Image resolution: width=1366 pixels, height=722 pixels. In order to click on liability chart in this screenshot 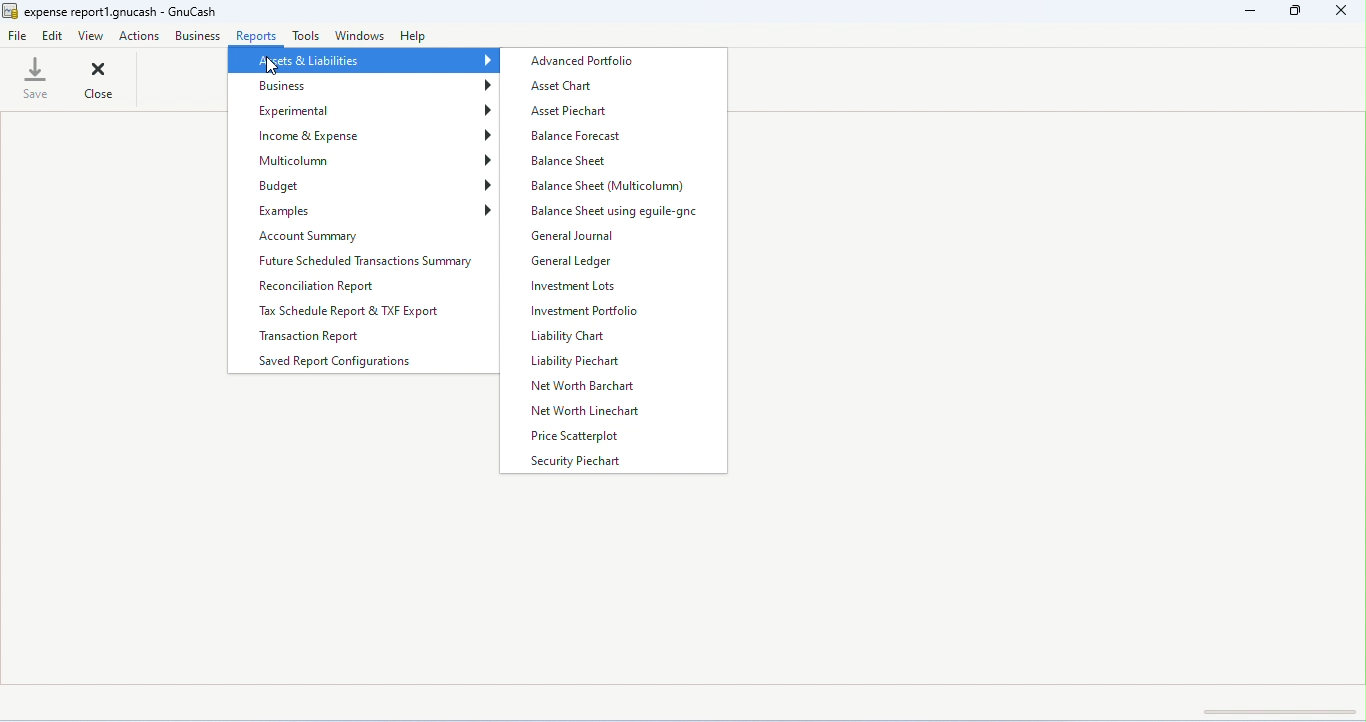, I will do `click(569, 337)`.